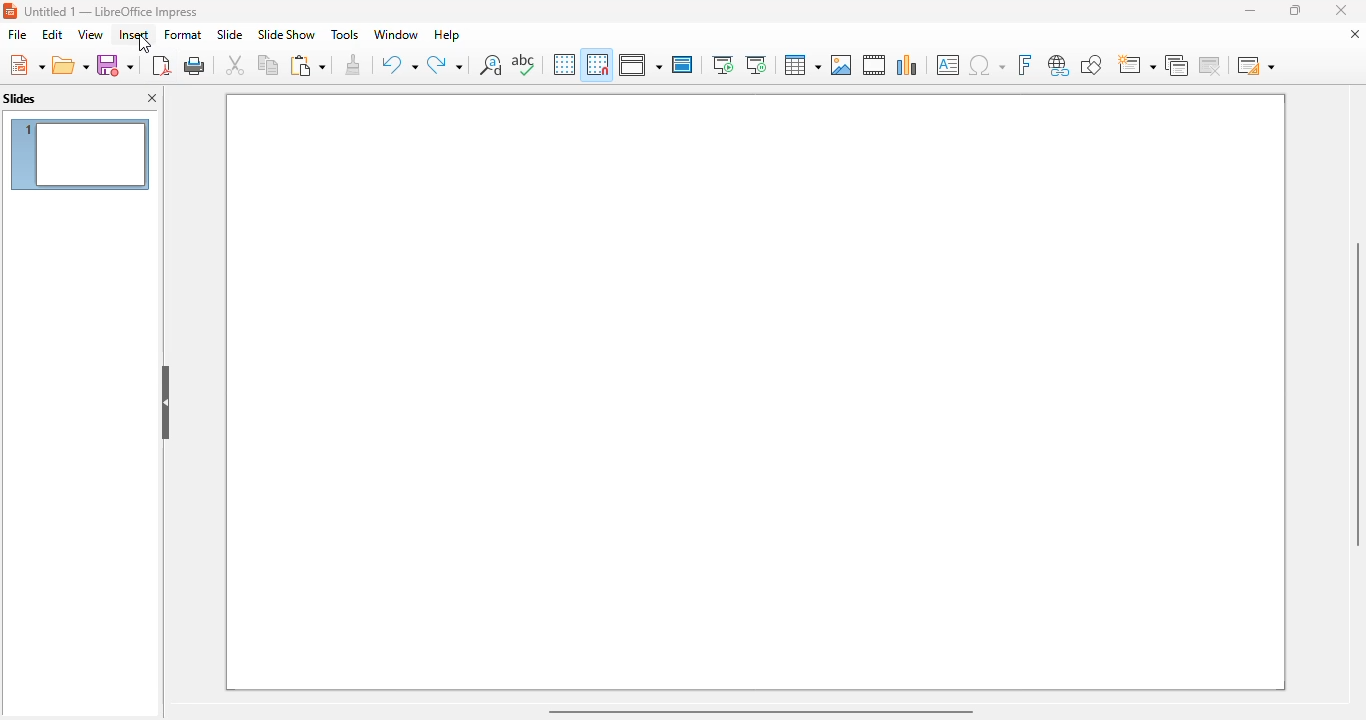  What do you see at coordinates (596, 64) in the screenshot?
I see `snap to grid` at bounding box center [596, 64].